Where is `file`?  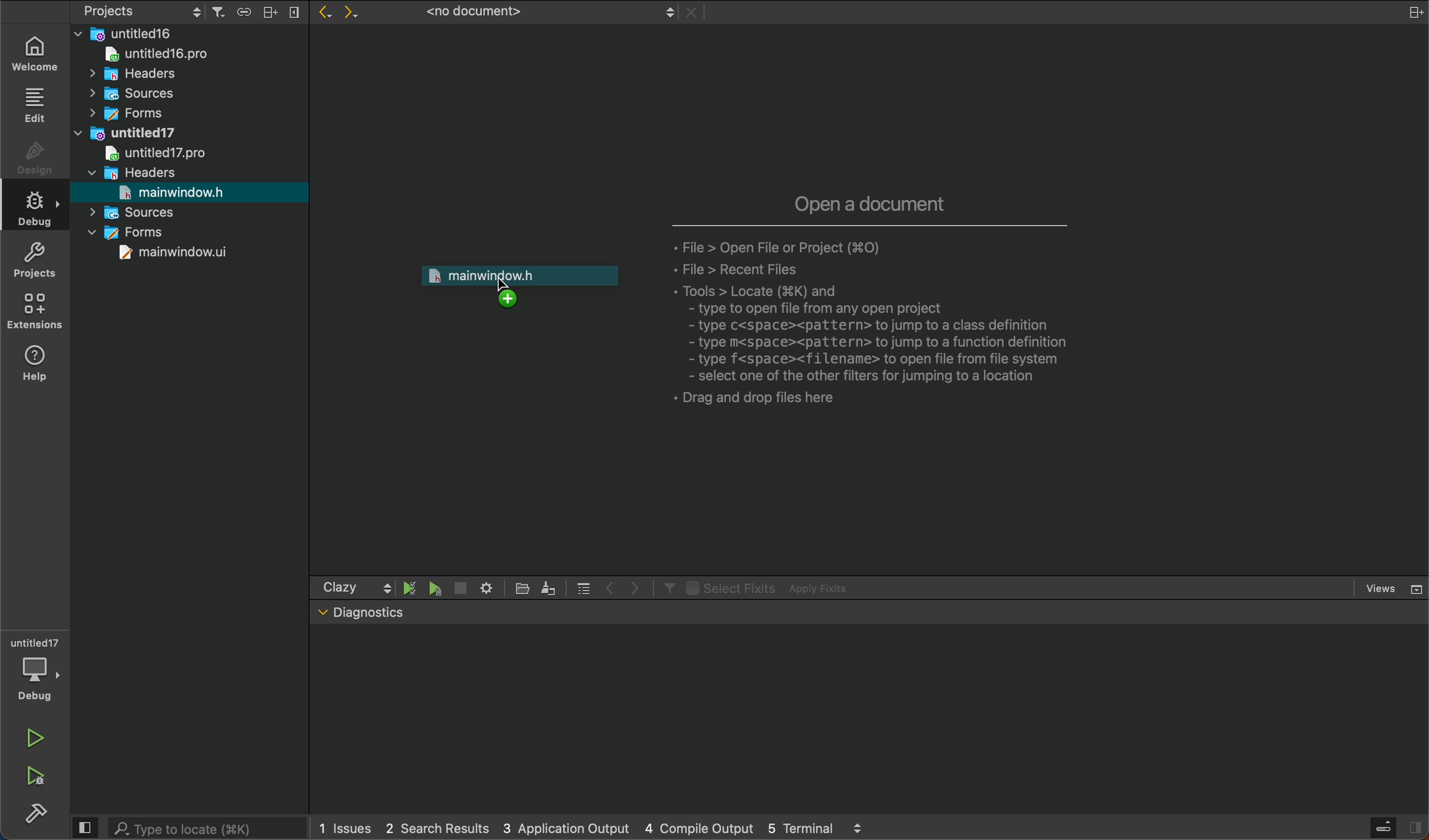
file is located at coordinates (525, 588).